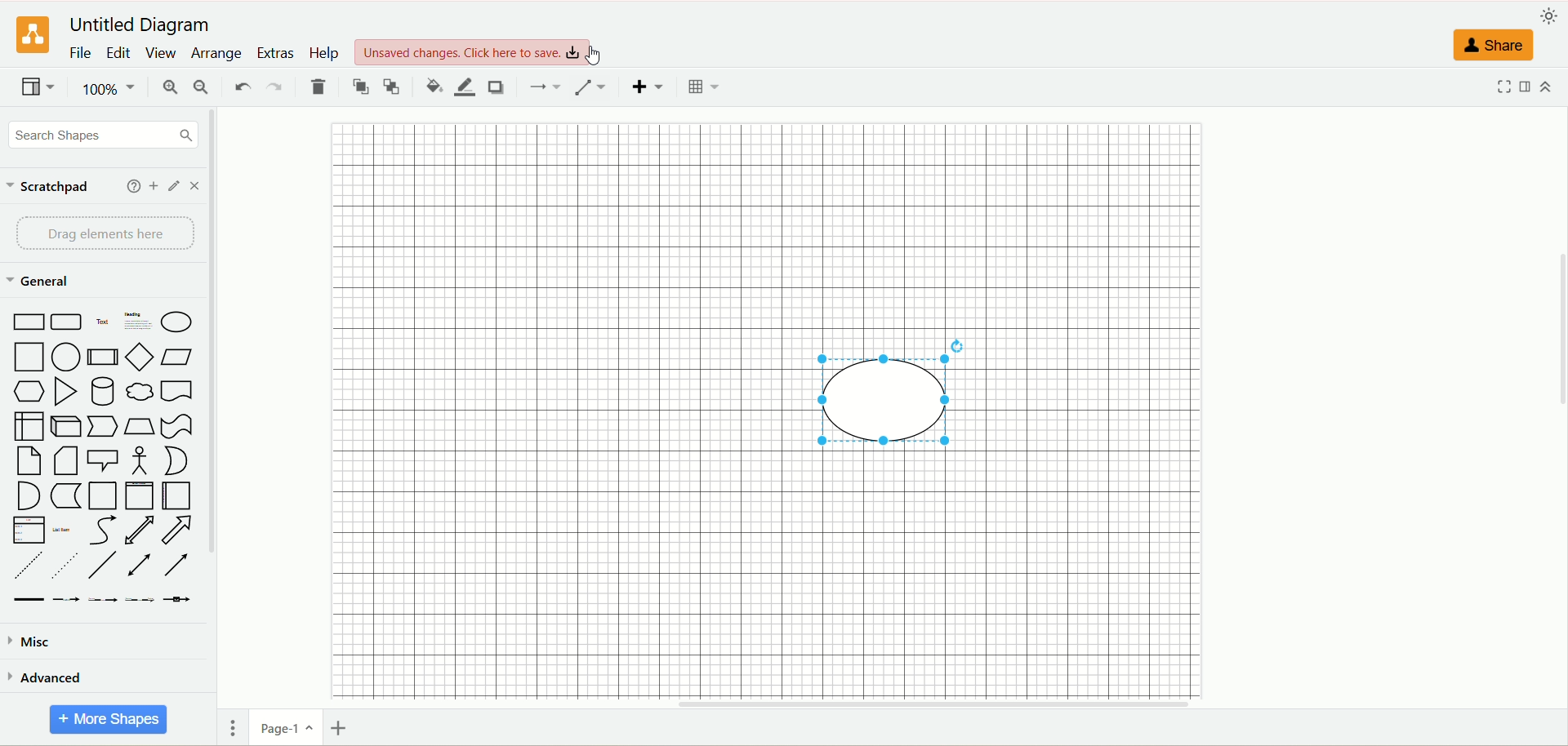 The image size is (1568, 746). Describe the element at coordinates (231, 726) in the screenshot. I see `pages` at that location.